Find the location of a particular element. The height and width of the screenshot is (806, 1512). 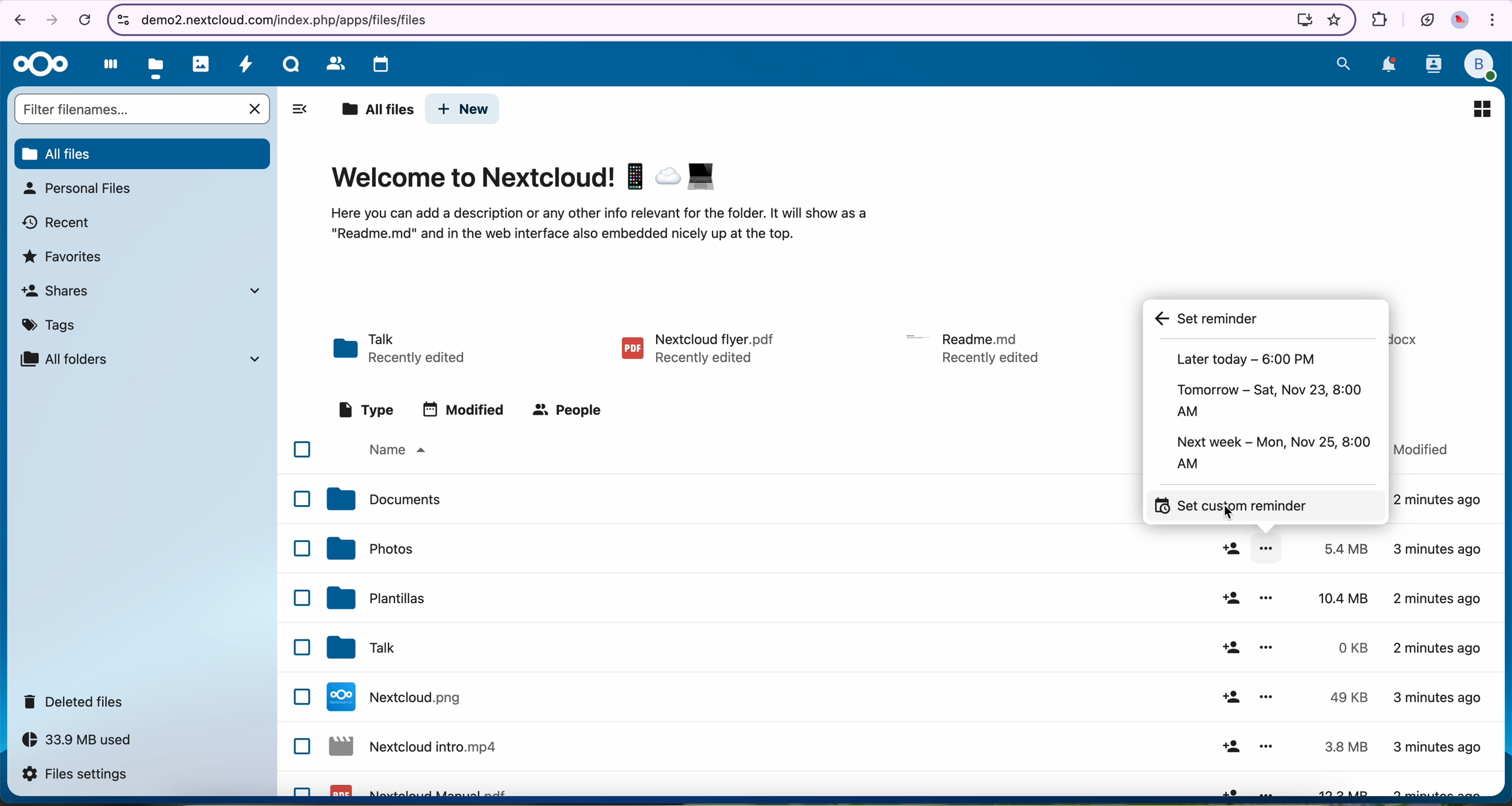

file is located at coordinates (1411, 338).